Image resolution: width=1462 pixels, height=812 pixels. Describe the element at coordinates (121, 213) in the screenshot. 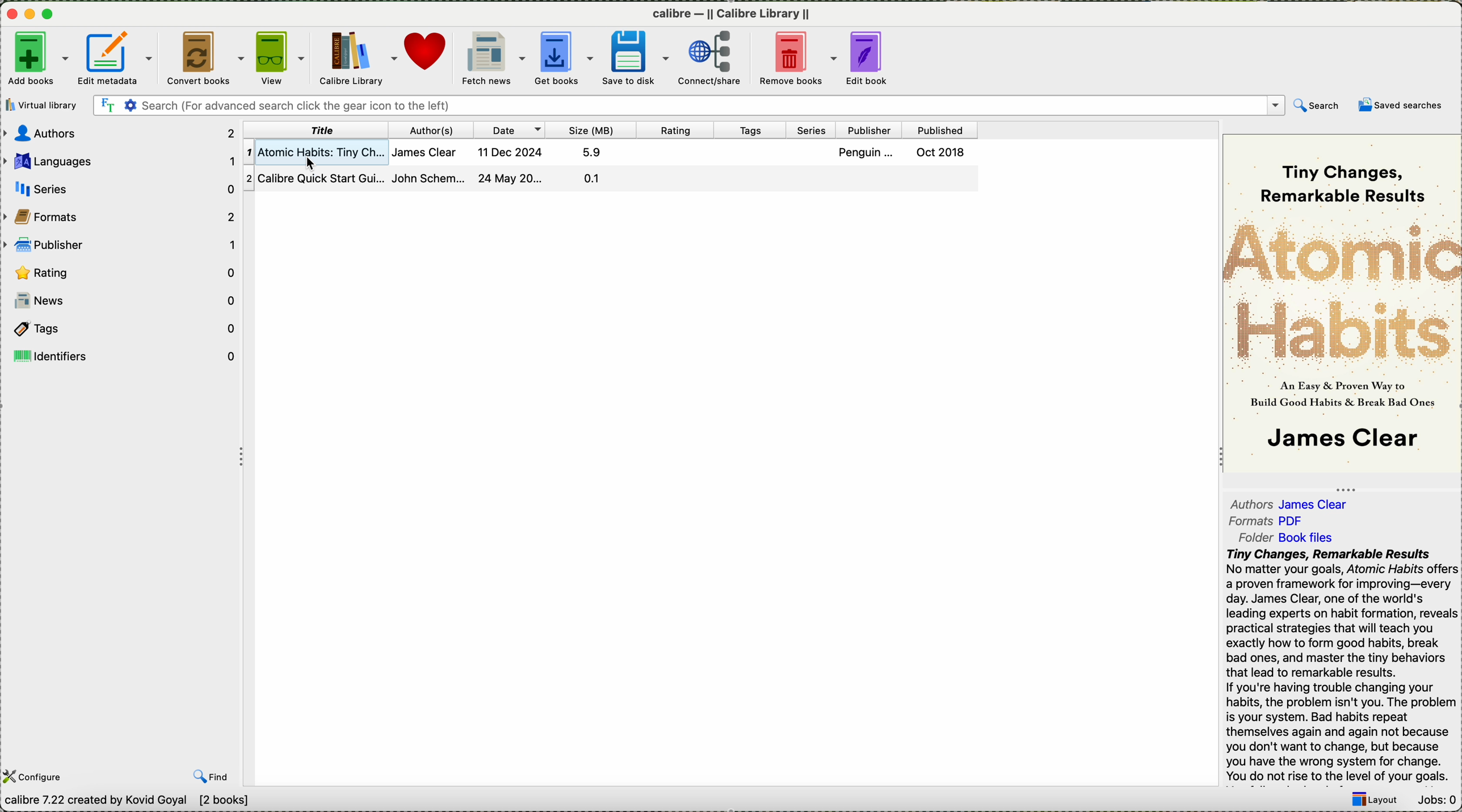

I see `formats` at that location.